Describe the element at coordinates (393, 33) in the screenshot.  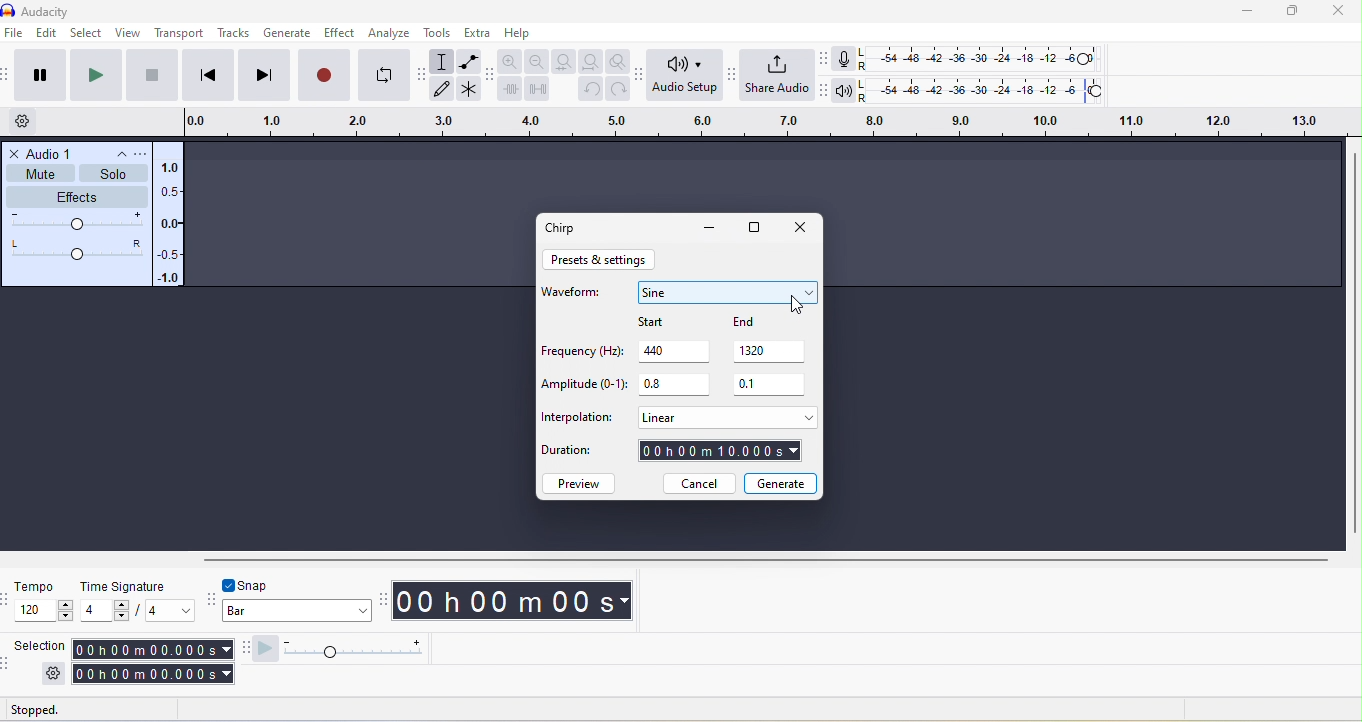
I see `analyze` at that location.